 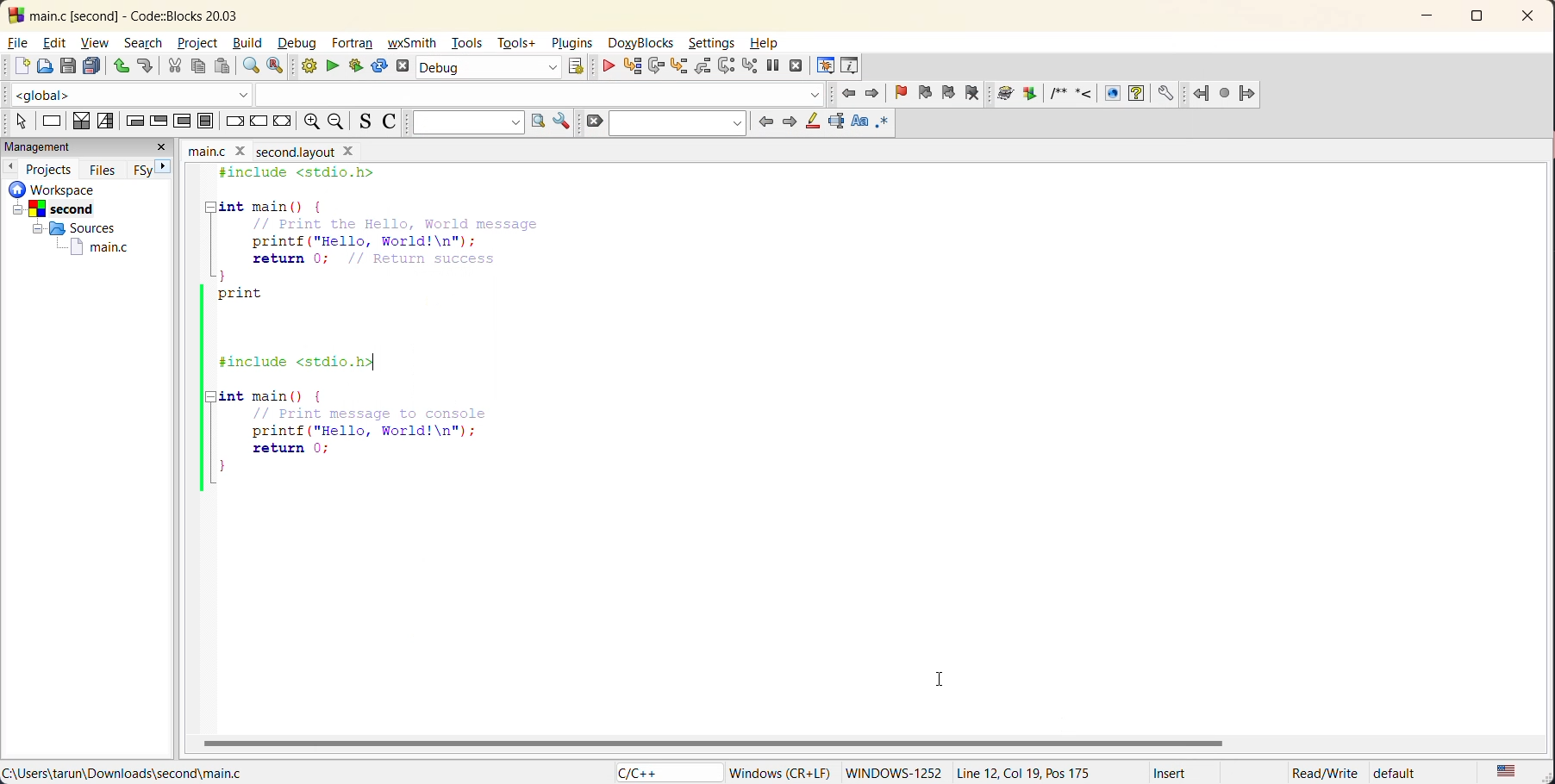 What do you see at coordinates (797, 67) in the screenshot?
I see `stop debugger` at bounding box center [797, 67].